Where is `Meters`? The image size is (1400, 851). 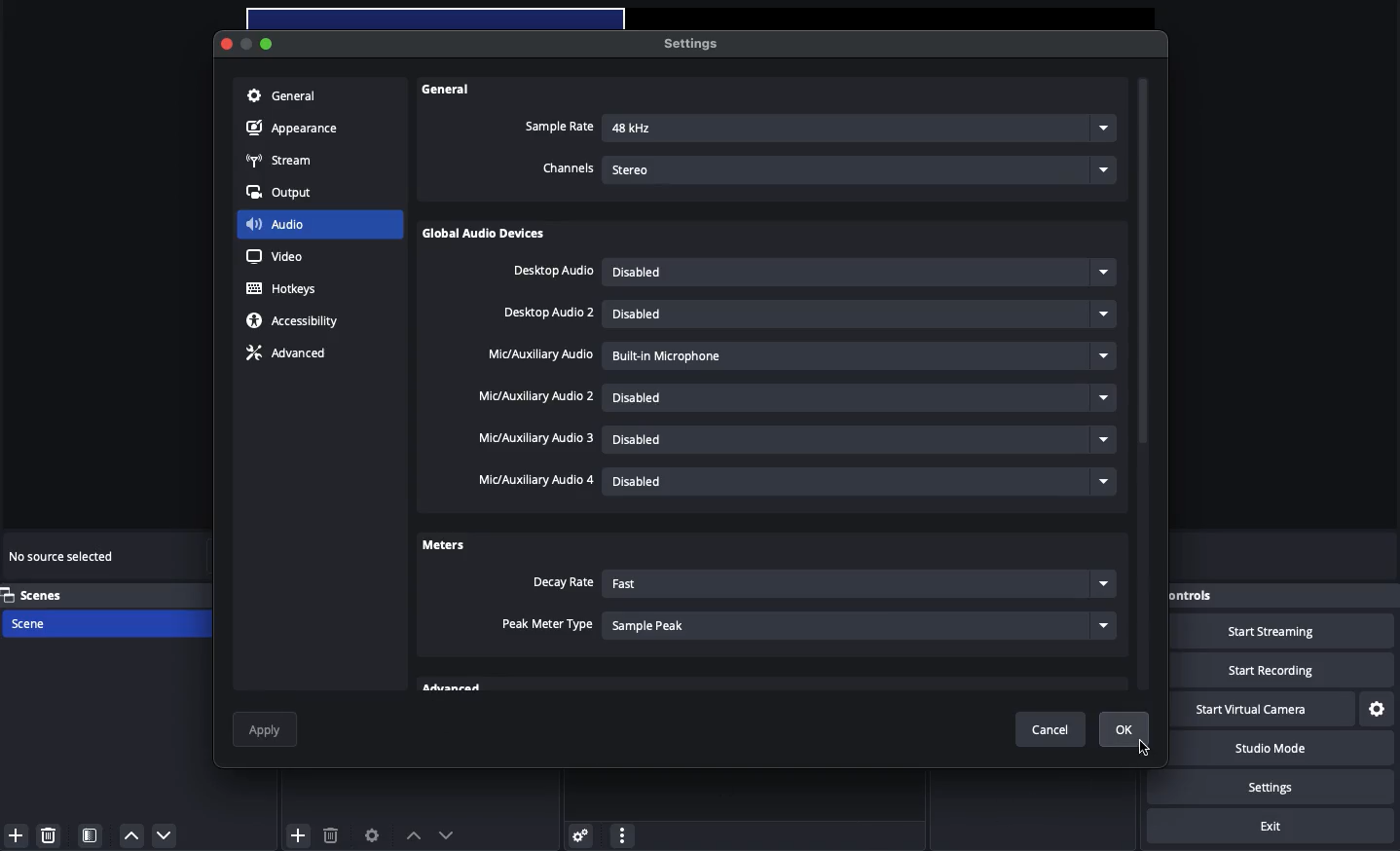
Meters is located at coordinates (443, 543).